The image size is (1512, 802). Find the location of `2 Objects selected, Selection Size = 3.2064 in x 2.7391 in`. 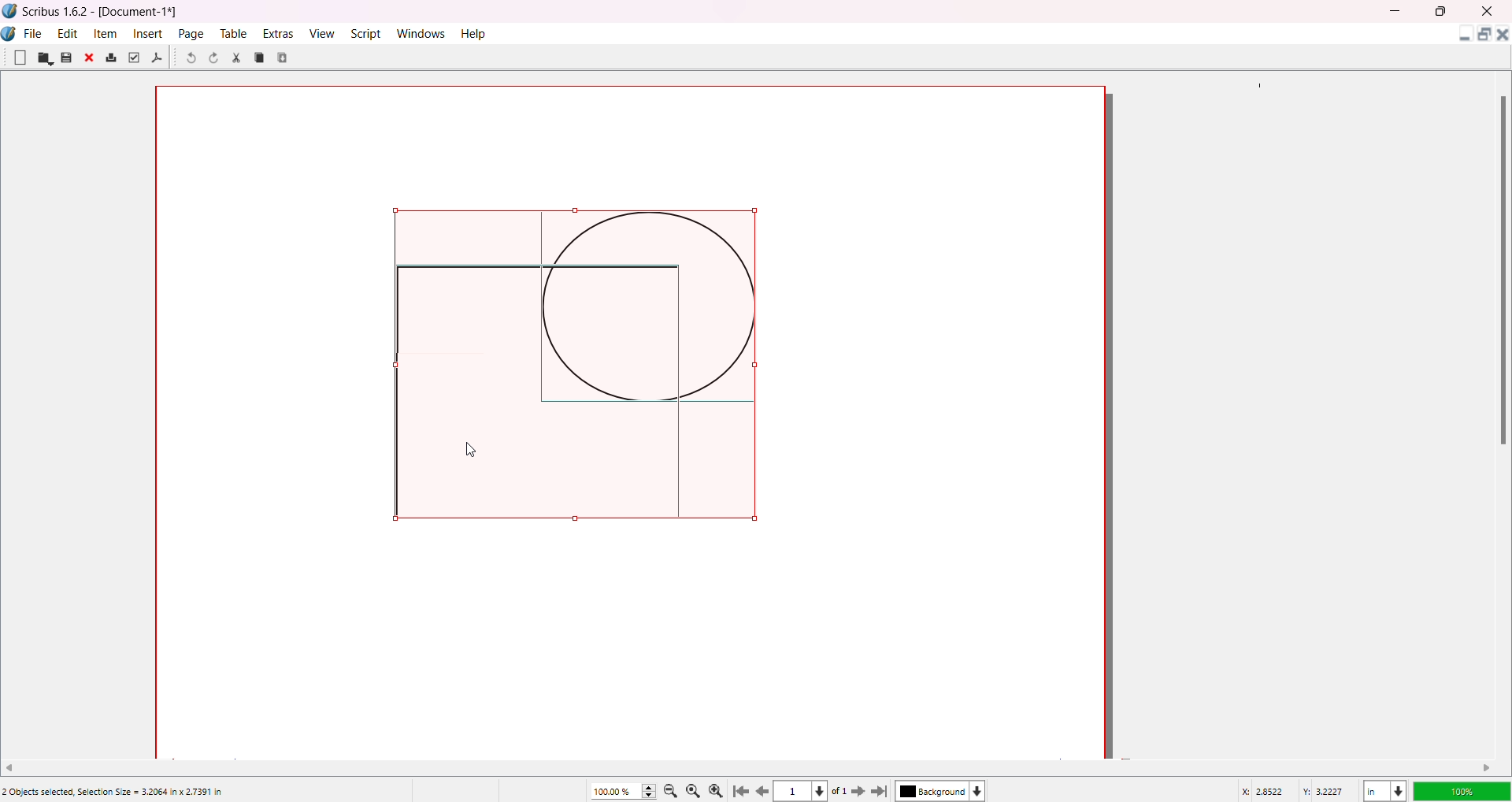

2 Objects selected, Selection Size = 3.2064 in x 2.7391 in is located at coordinates (113, 792).